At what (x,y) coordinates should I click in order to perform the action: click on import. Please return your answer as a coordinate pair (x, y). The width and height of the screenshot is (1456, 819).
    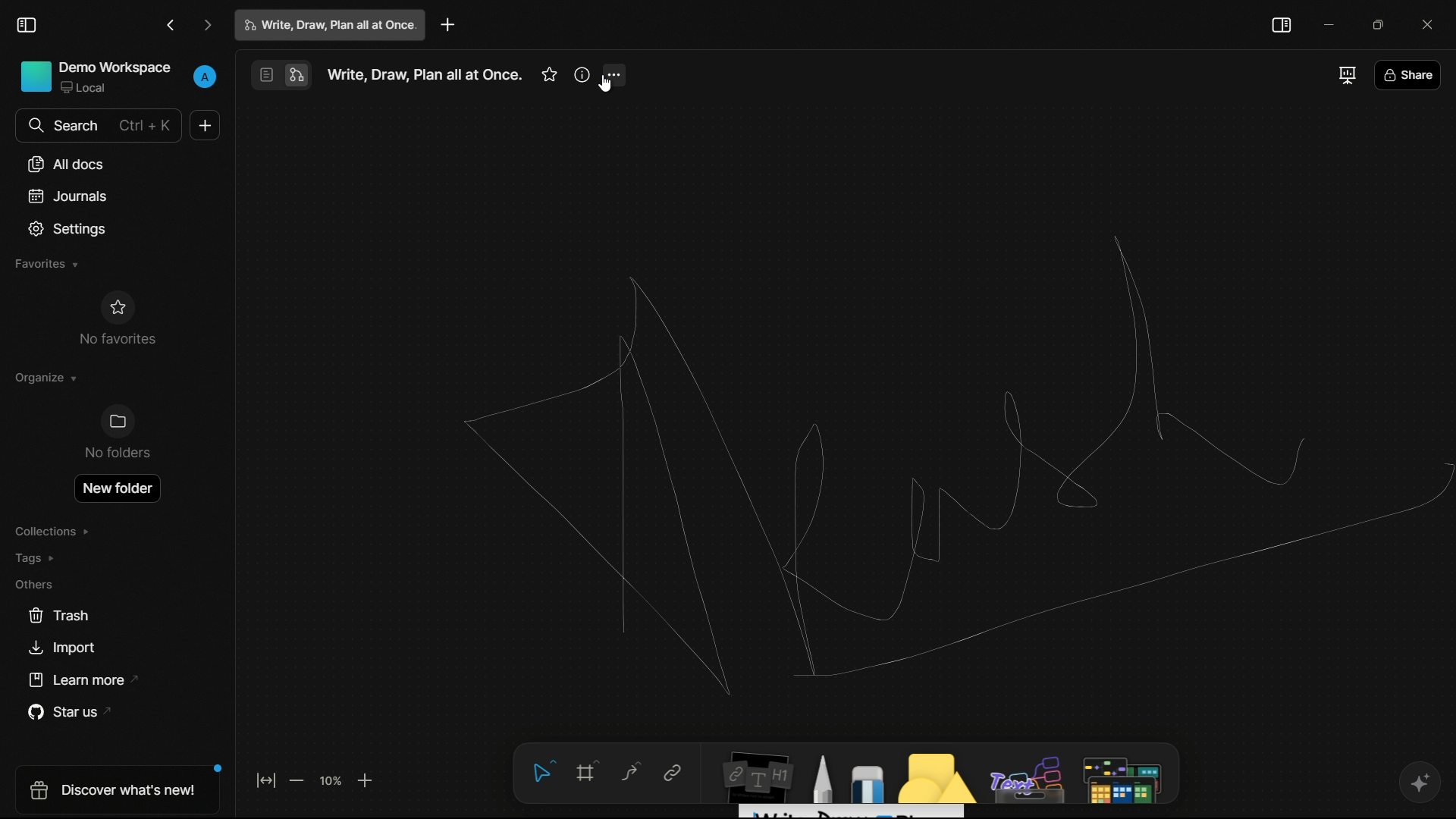
    Looking at the image, I should click on (61, 648).